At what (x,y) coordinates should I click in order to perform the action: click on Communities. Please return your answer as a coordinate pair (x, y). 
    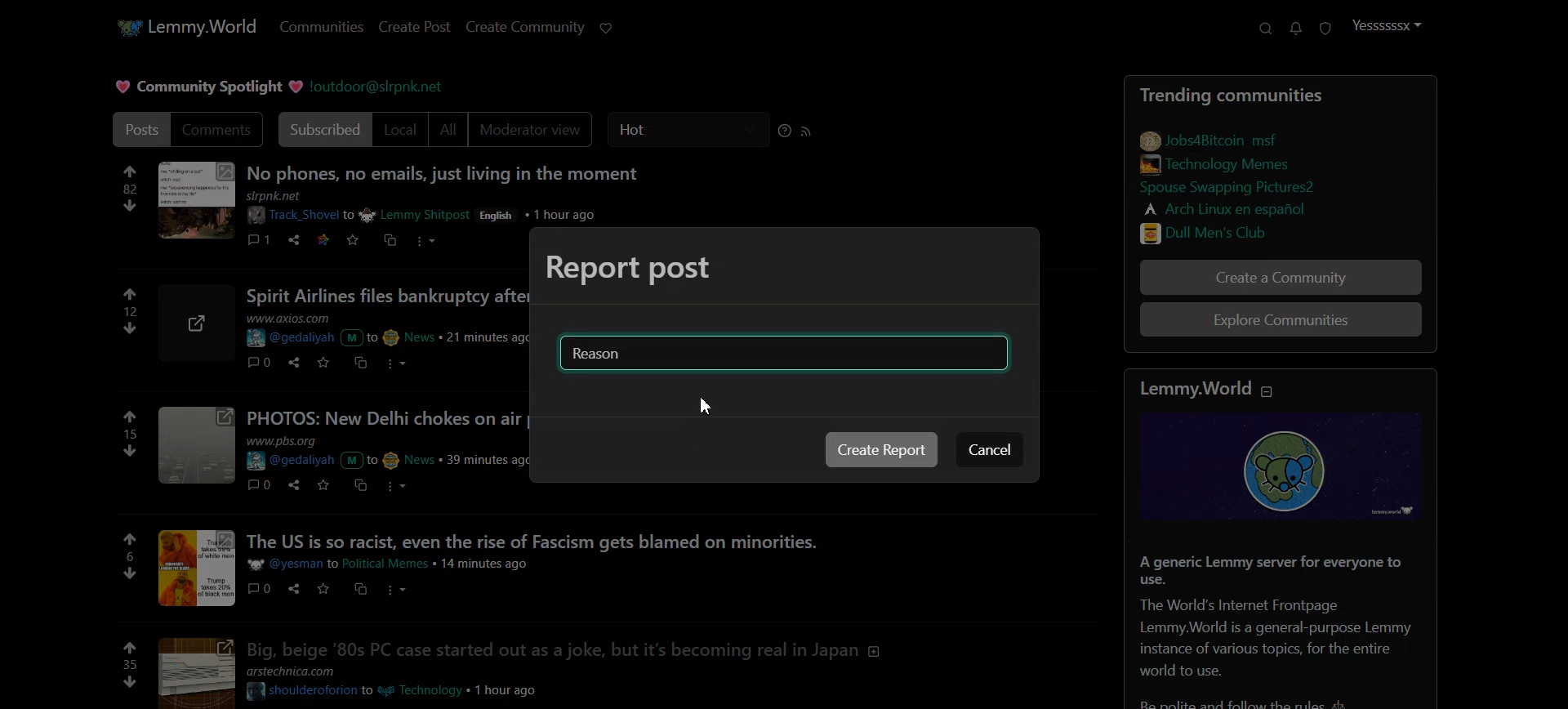
    Looking at the image, I should click on (321, 28).